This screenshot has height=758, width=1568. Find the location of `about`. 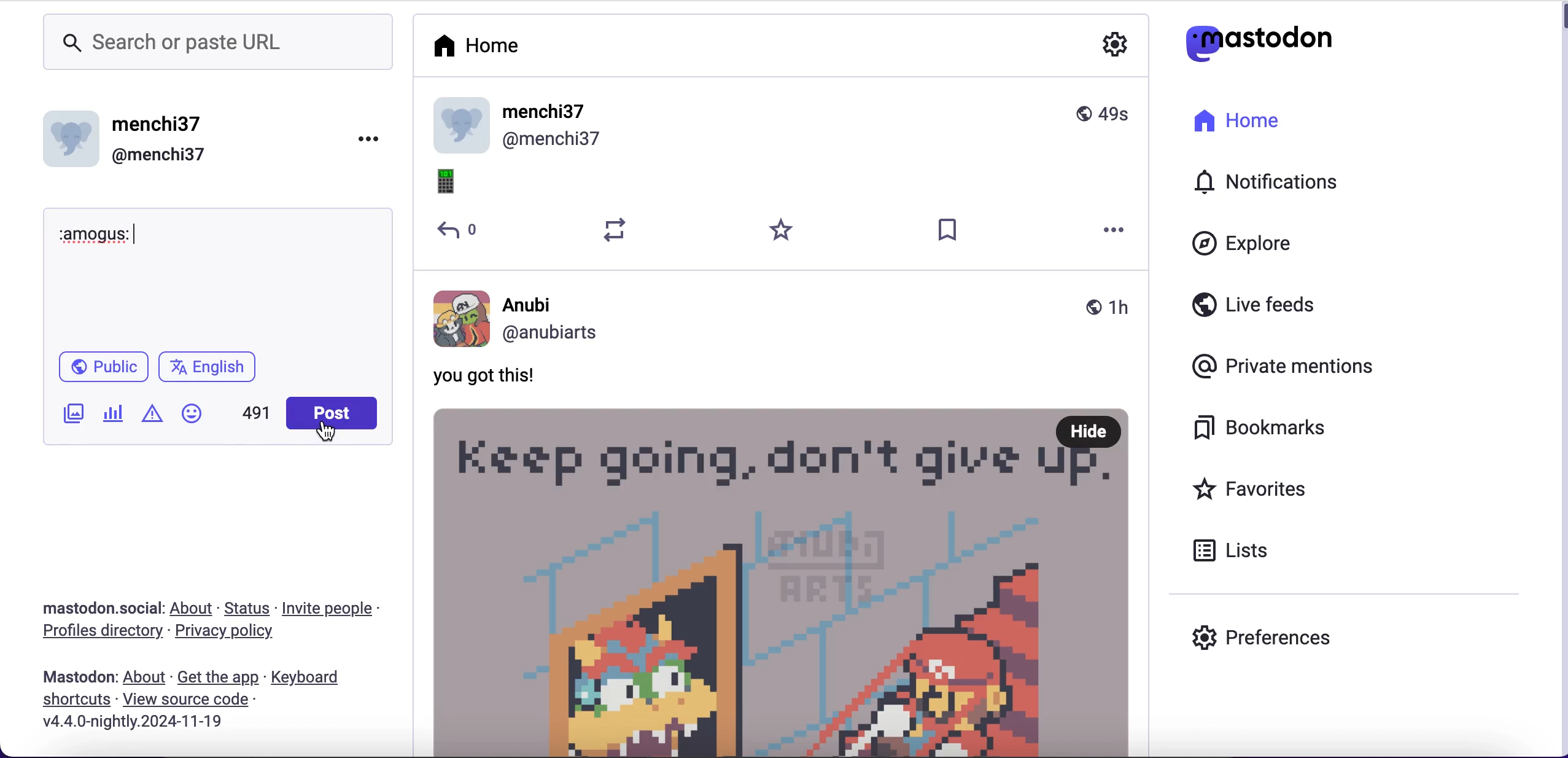

about is located at coordinates (192, 609).